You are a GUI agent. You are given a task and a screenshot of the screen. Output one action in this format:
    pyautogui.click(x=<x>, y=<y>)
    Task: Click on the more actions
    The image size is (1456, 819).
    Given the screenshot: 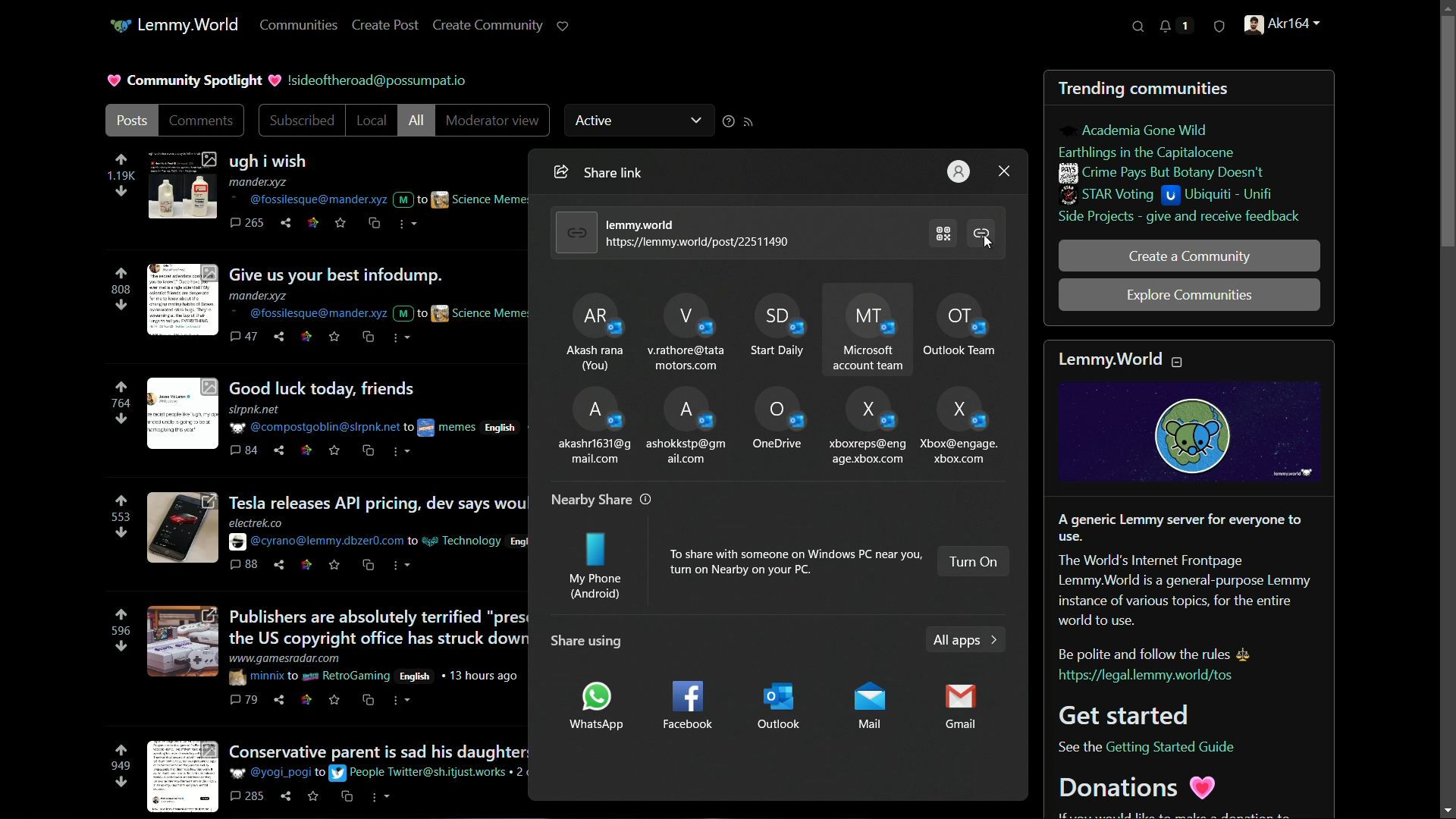 What is the action you would take?
    pyautogui.click(x=381, y=797)
    